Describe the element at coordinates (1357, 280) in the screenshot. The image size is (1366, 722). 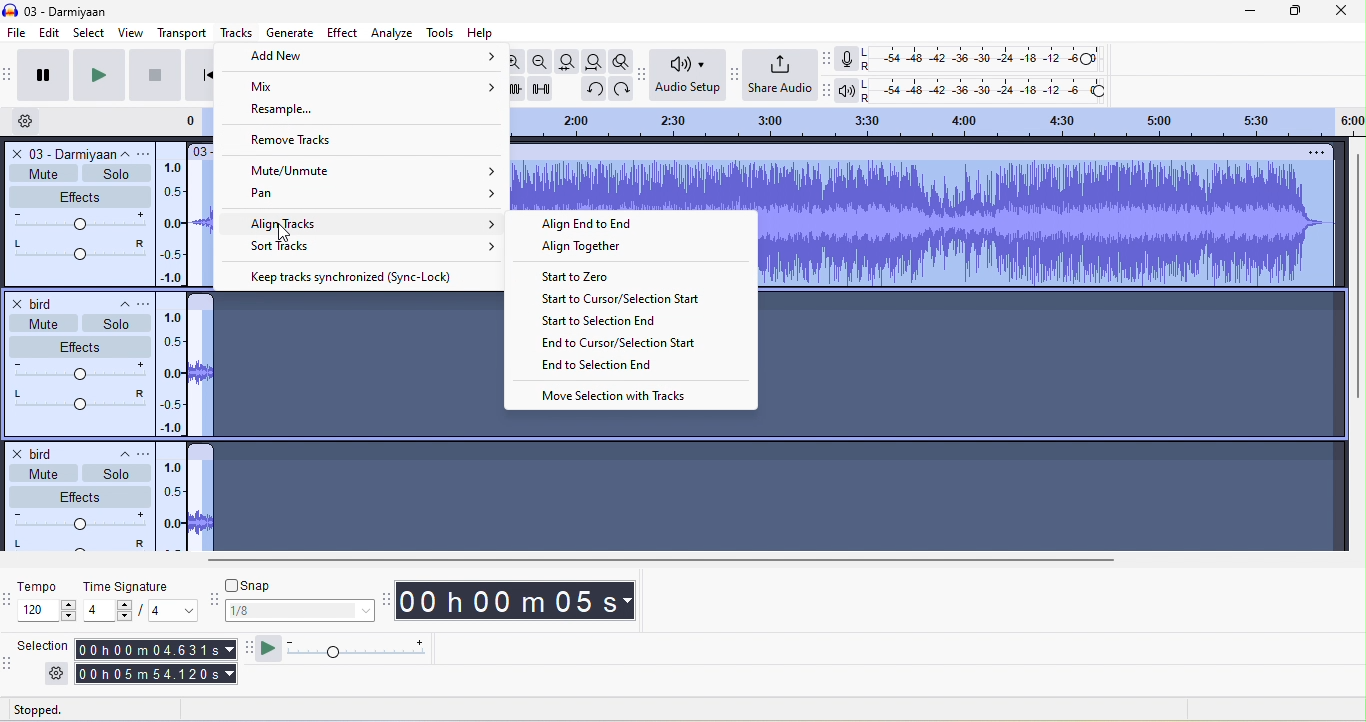
I see `vertical scroll bar` at that location.